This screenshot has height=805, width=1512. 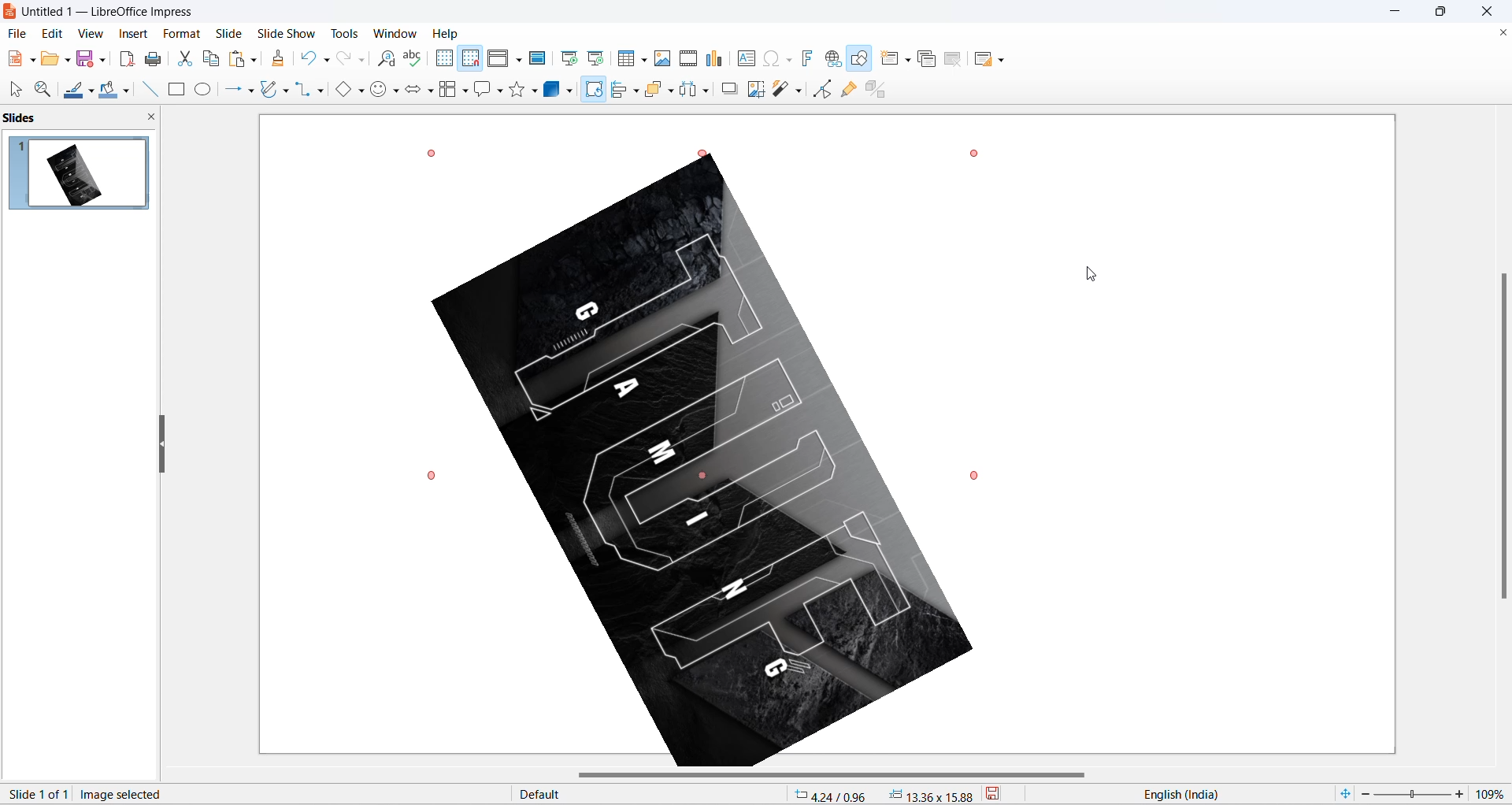 What do you see at coordinates (881, 87) in the screenshot?
I see `toggle extrusion` at bounding box center [881, 87].